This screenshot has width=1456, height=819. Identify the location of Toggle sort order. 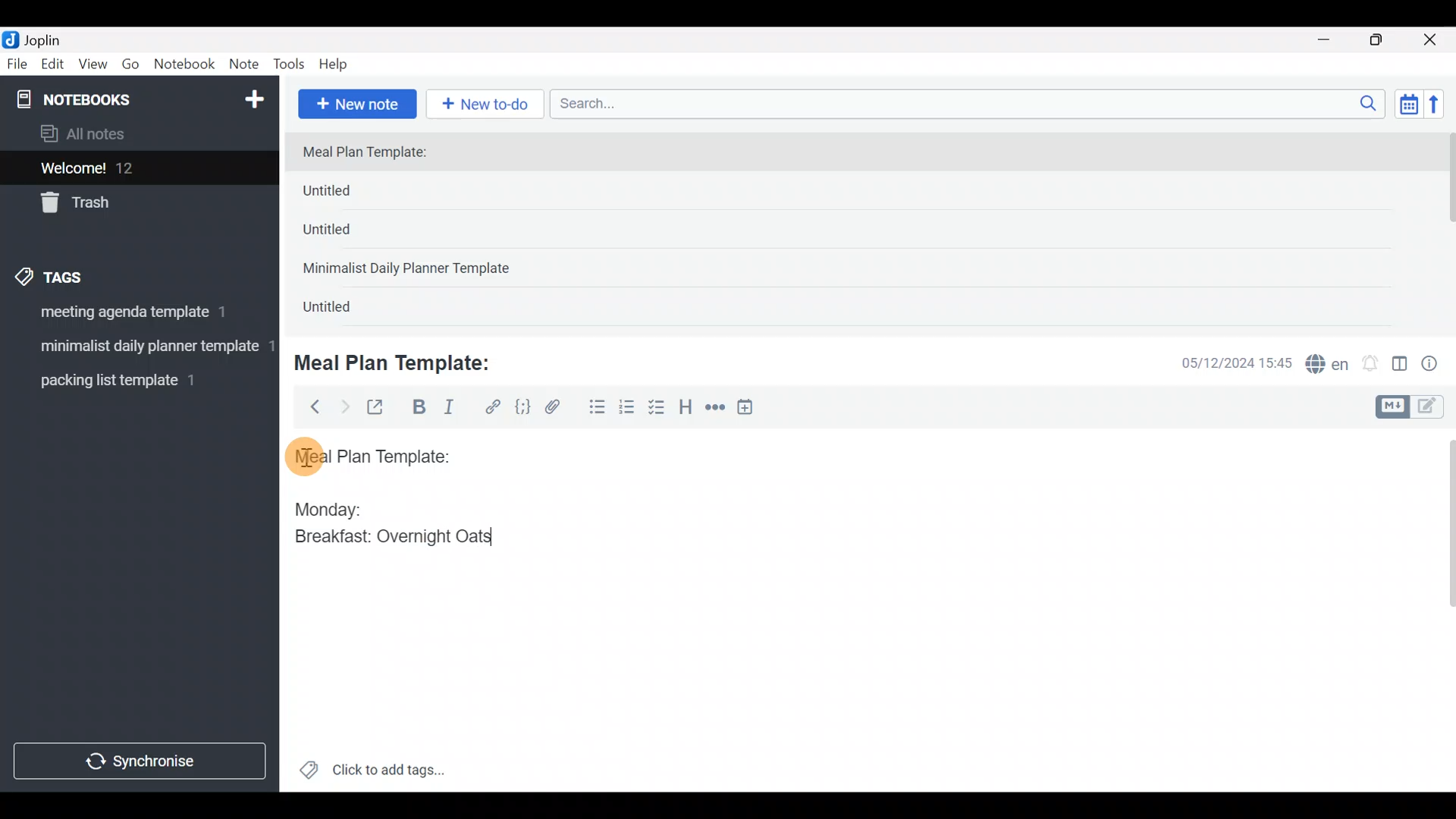
(1408, 105).